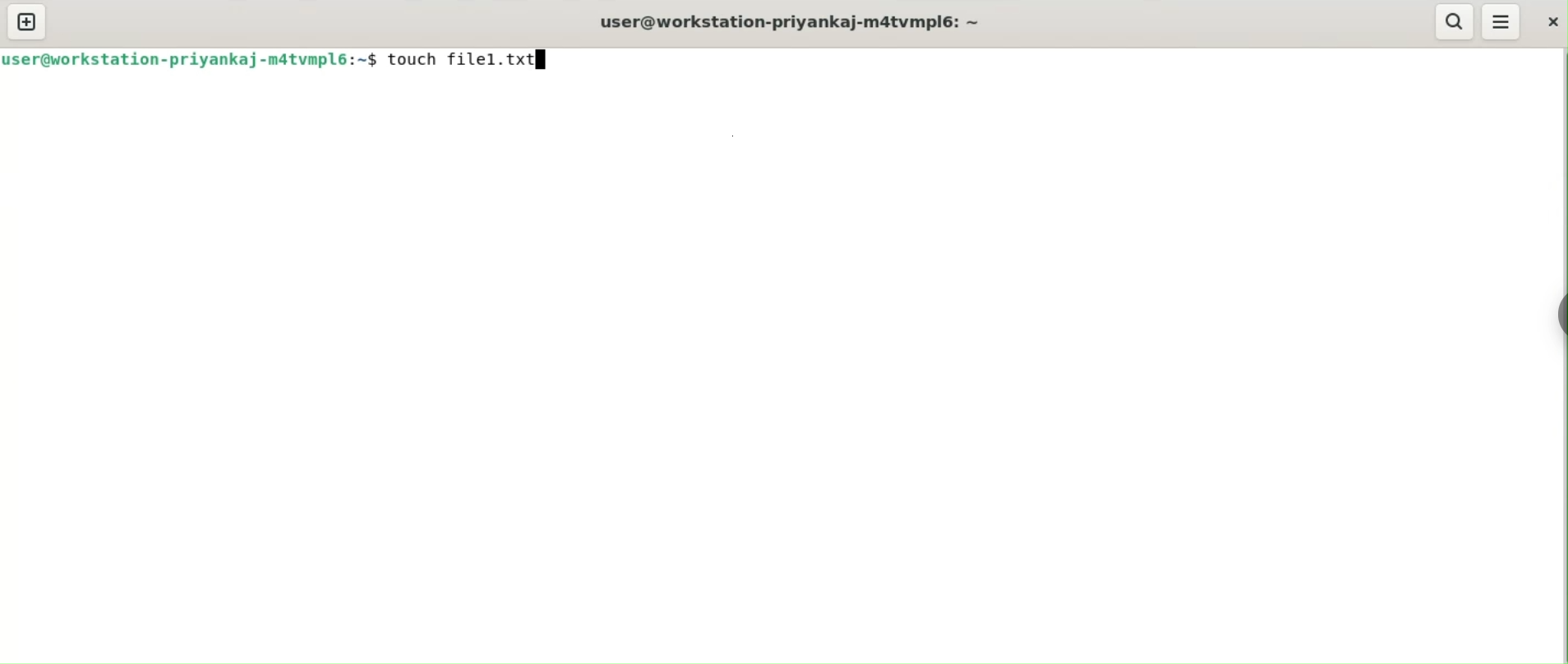 This screenshot has width=1568, height=664. What do you see at coordinates (28, 21) in the screenshot?
I see `new tab` at bounding box center [28, 21].